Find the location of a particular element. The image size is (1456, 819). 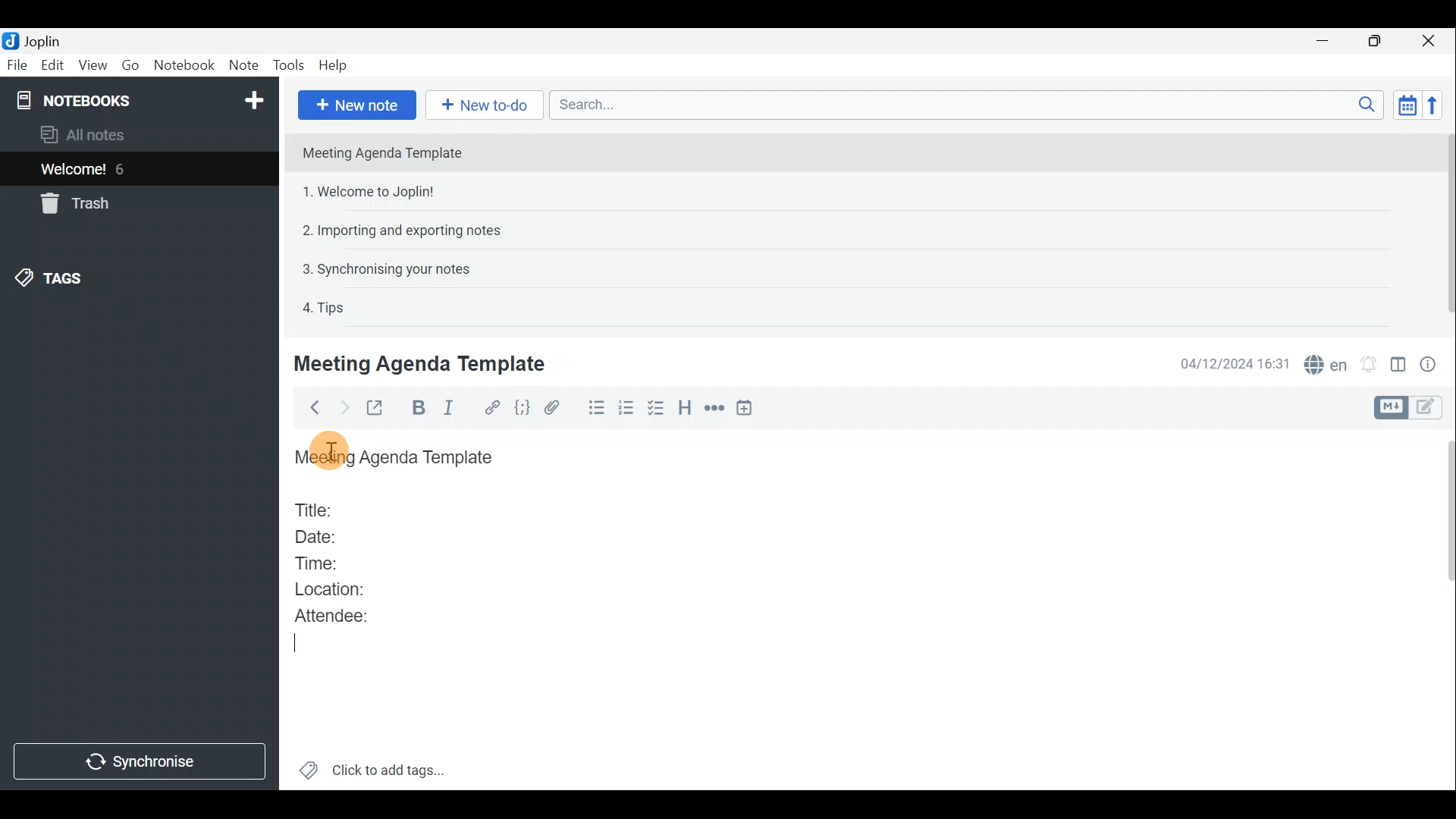

Spell checker is located at coordinates (1327, 362).